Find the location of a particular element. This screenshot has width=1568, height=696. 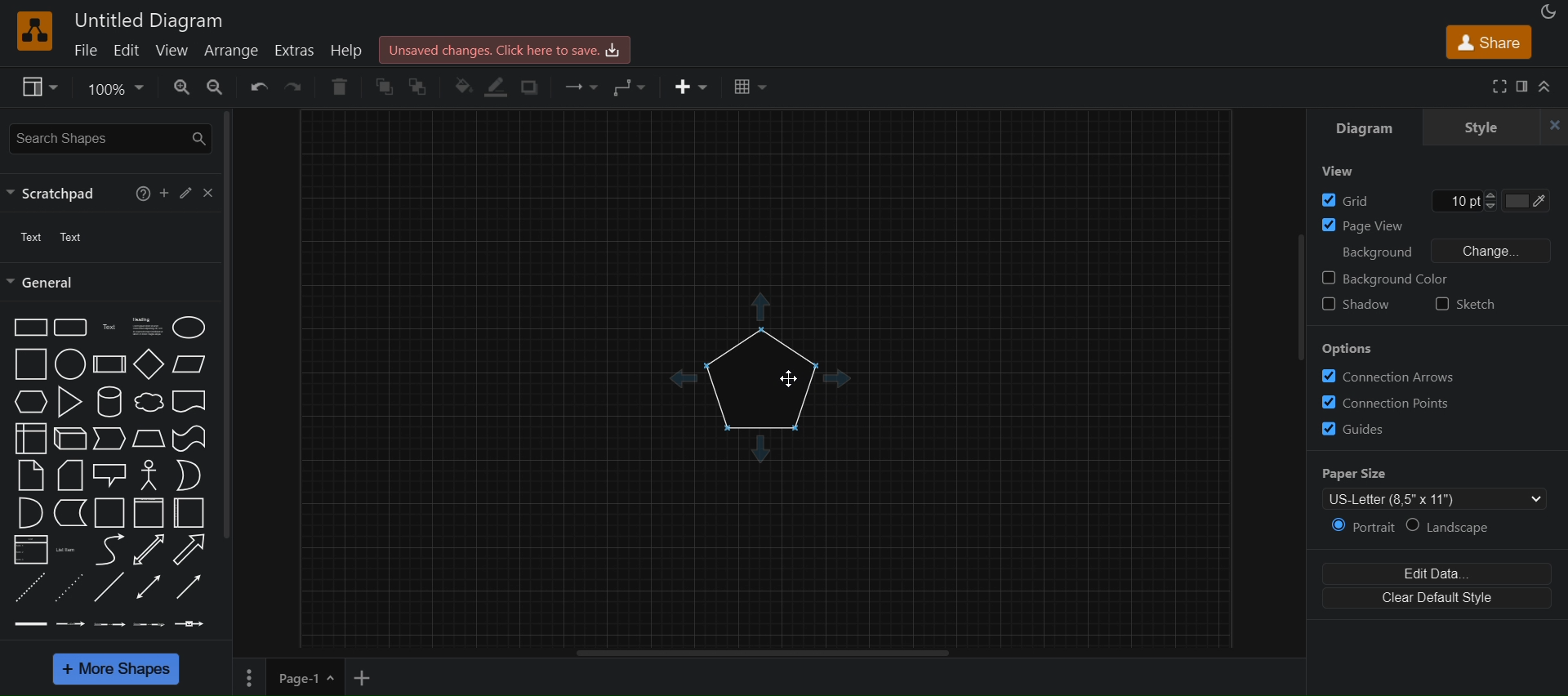

redo is located at coordinates (295, 90).